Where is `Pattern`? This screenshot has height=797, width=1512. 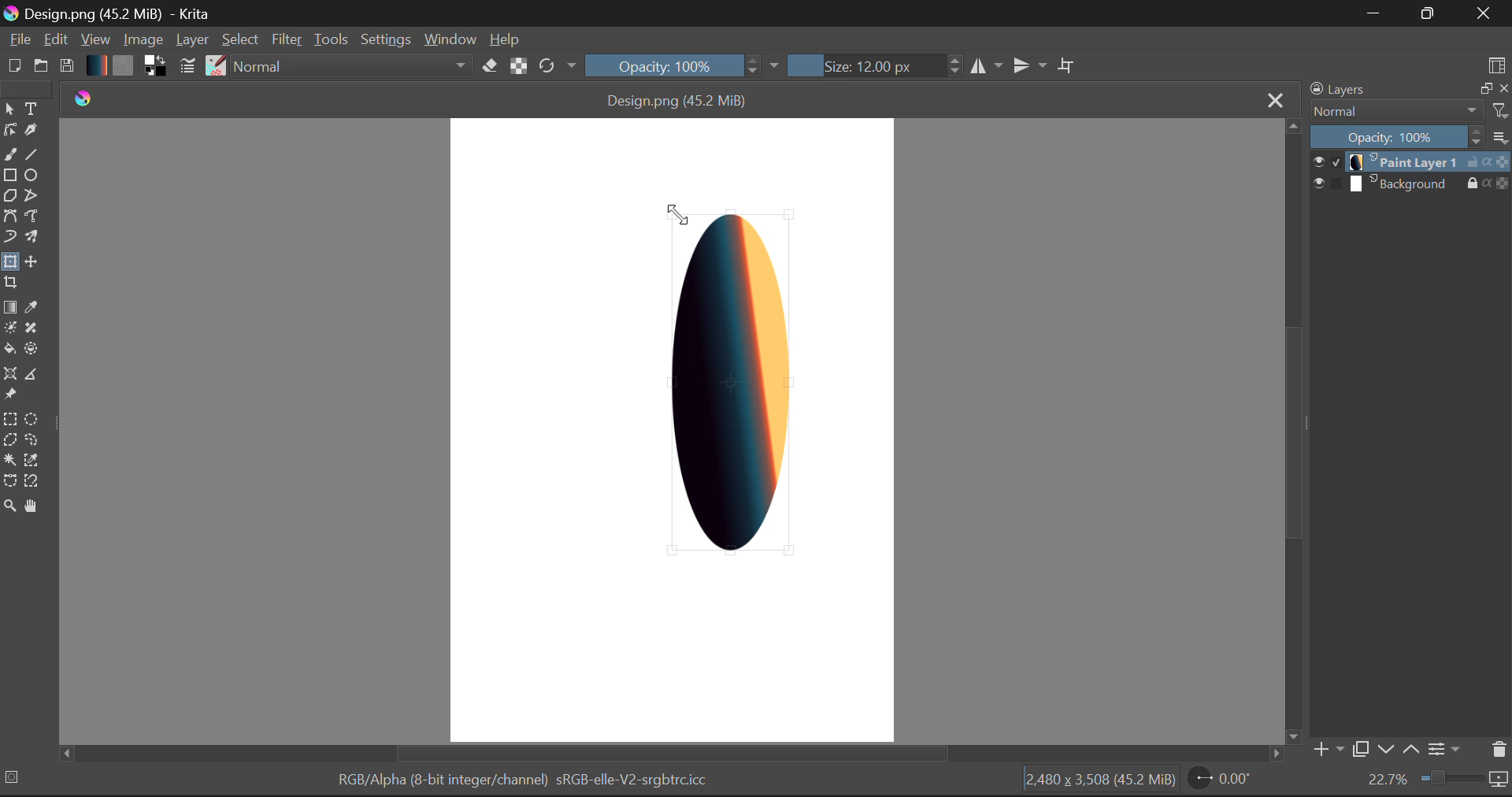 Pattern is located at coordinates (123, 66).